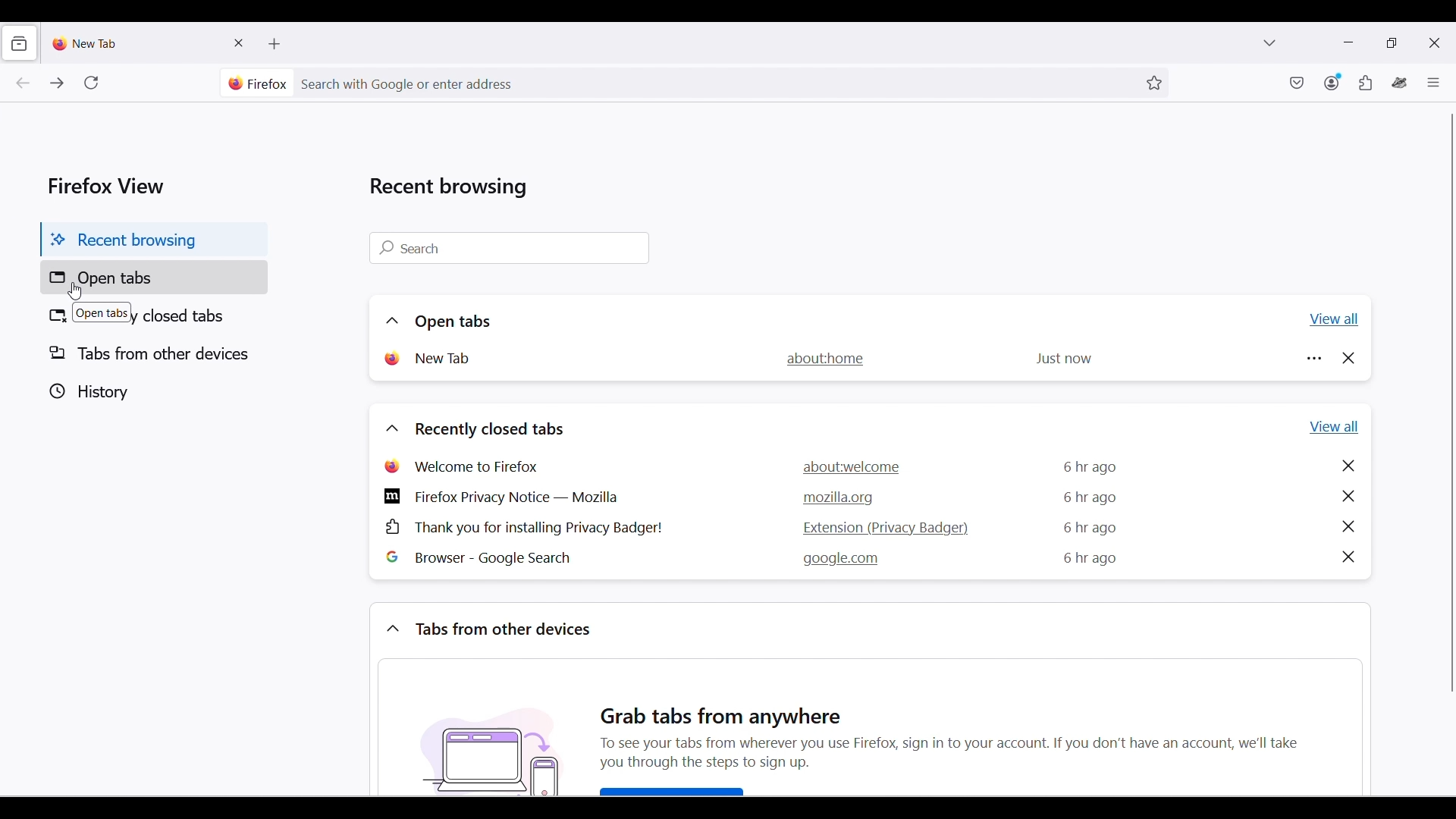 The width and height of the screenshot is (1456, 819). What do you see at coordinates (1348, 526) in the screenshot?
I see `Close Thank You for installing Privacy Badger tab` at bounding box center [1348, 526].